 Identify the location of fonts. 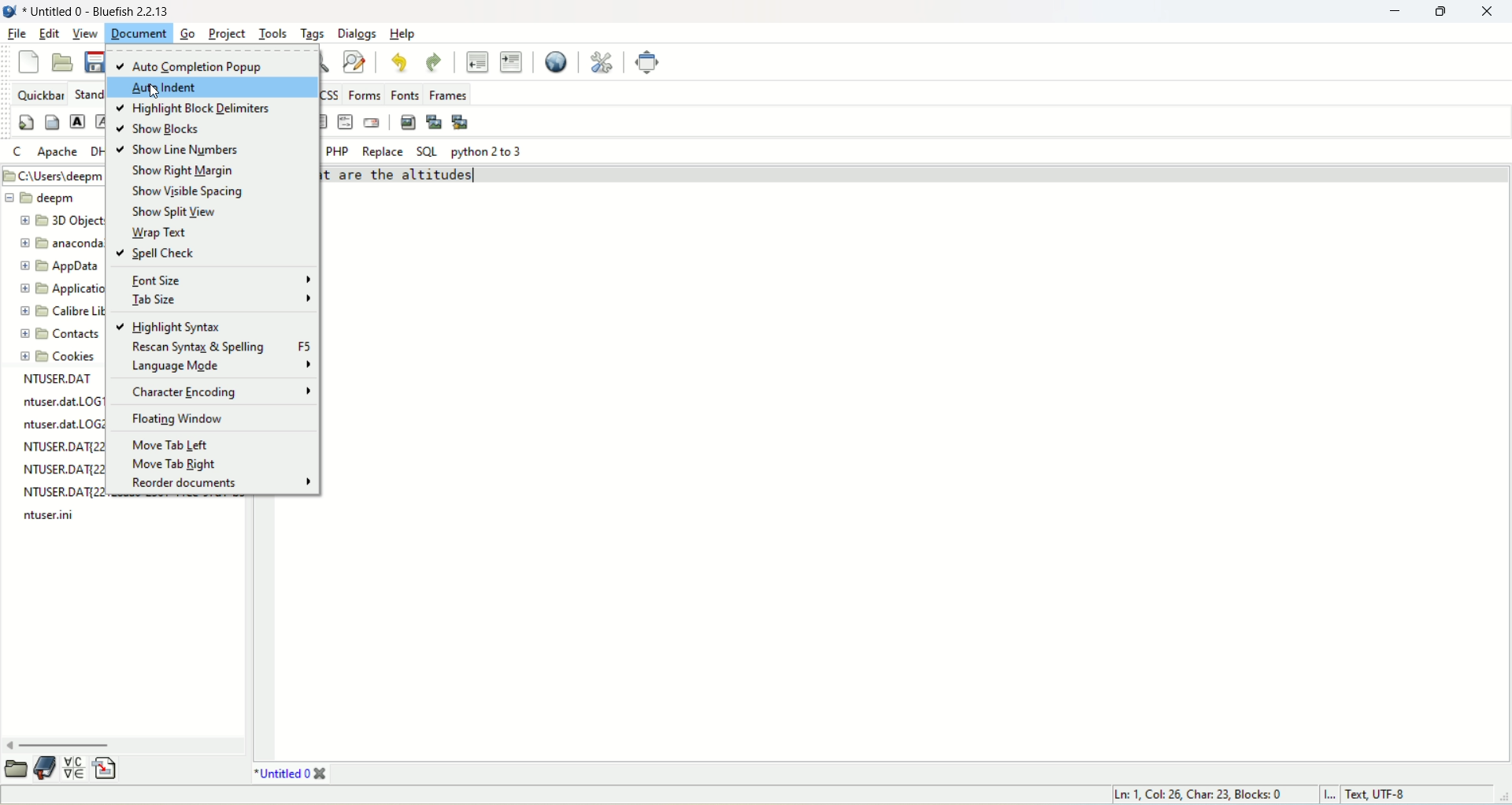
(406, 93).